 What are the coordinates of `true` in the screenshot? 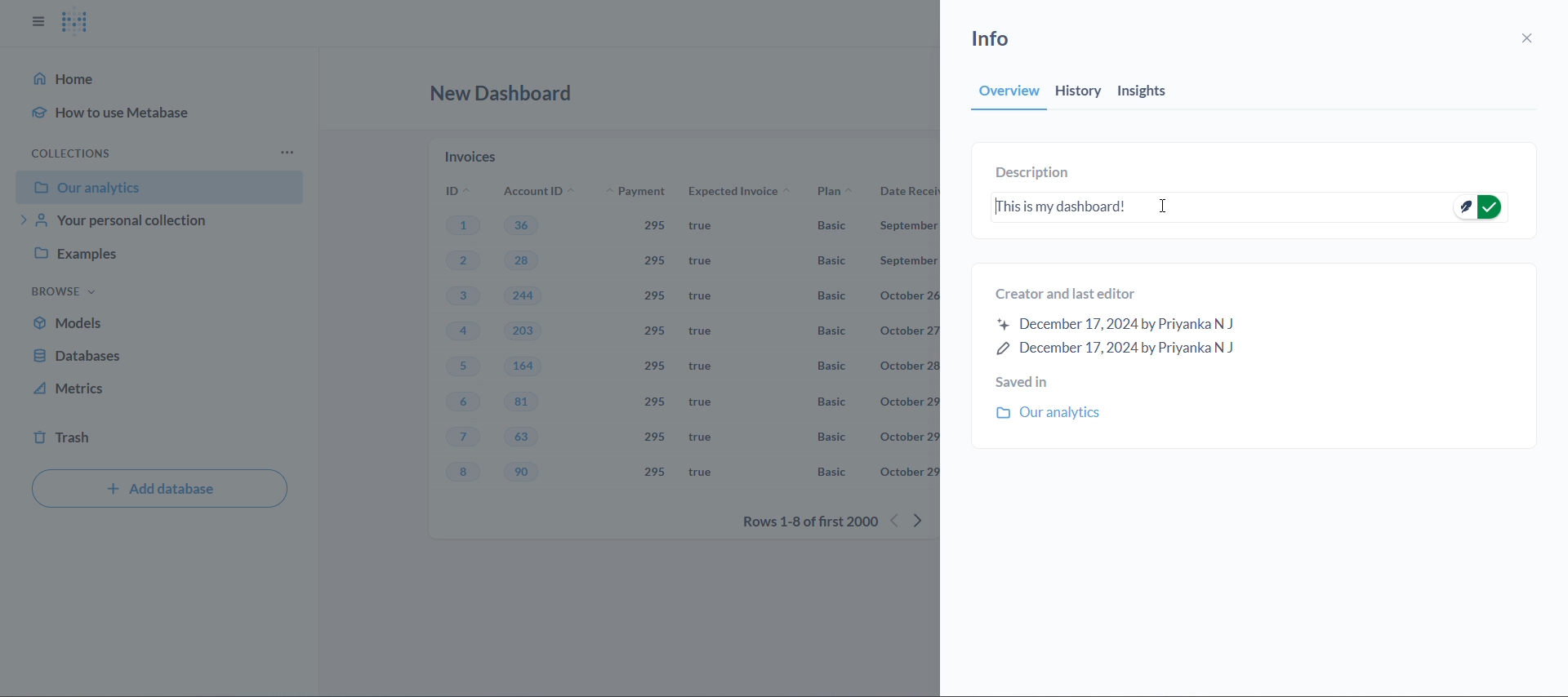 It's located at (706, 331).